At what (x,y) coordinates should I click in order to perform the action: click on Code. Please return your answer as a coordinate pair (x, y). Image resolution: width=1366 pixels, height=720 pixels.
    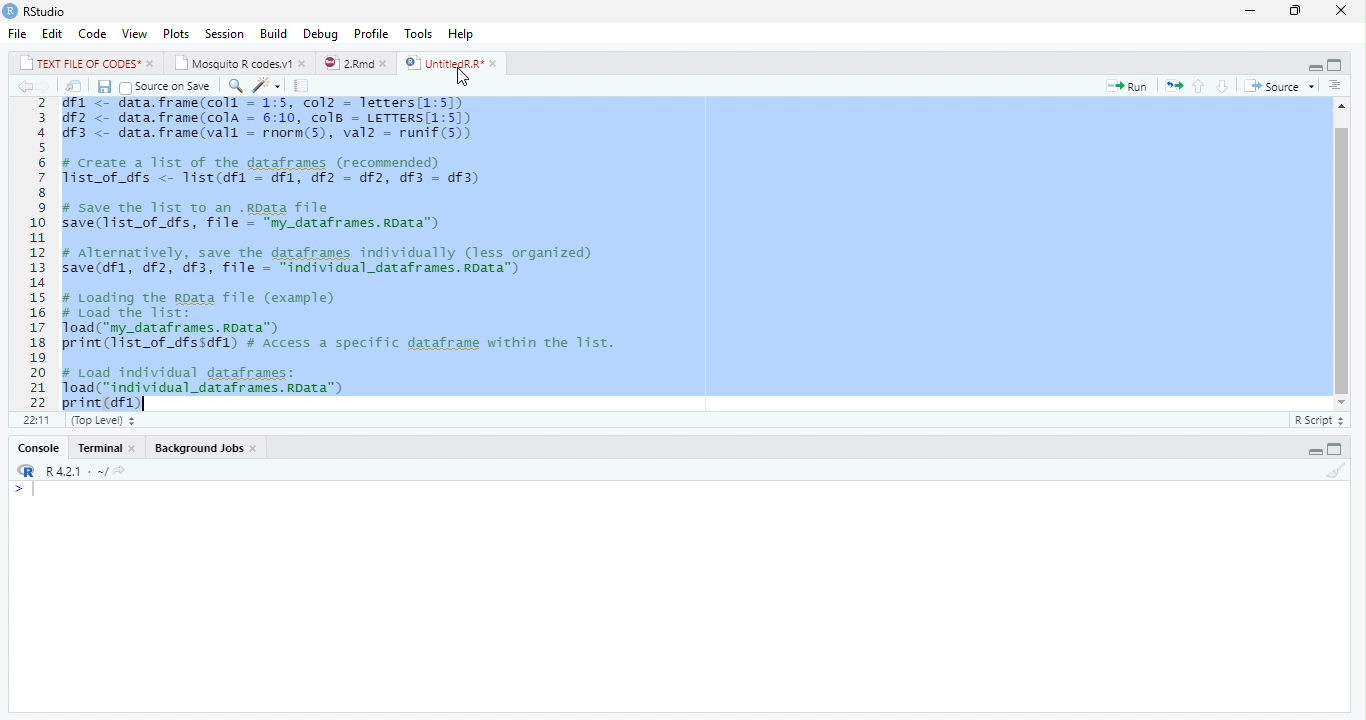
    Looking at the image, I should click on (93, 34).